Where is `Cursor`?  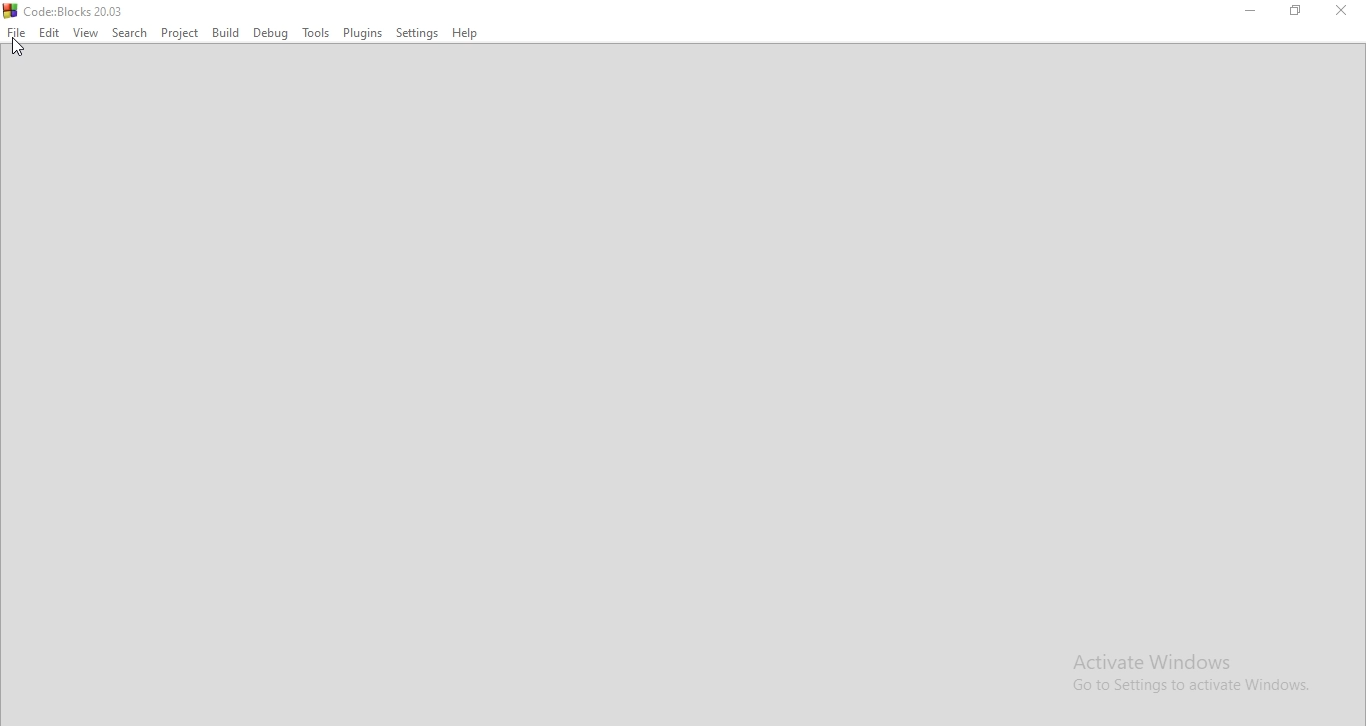
Cursor is located at coordinates (22, 49).